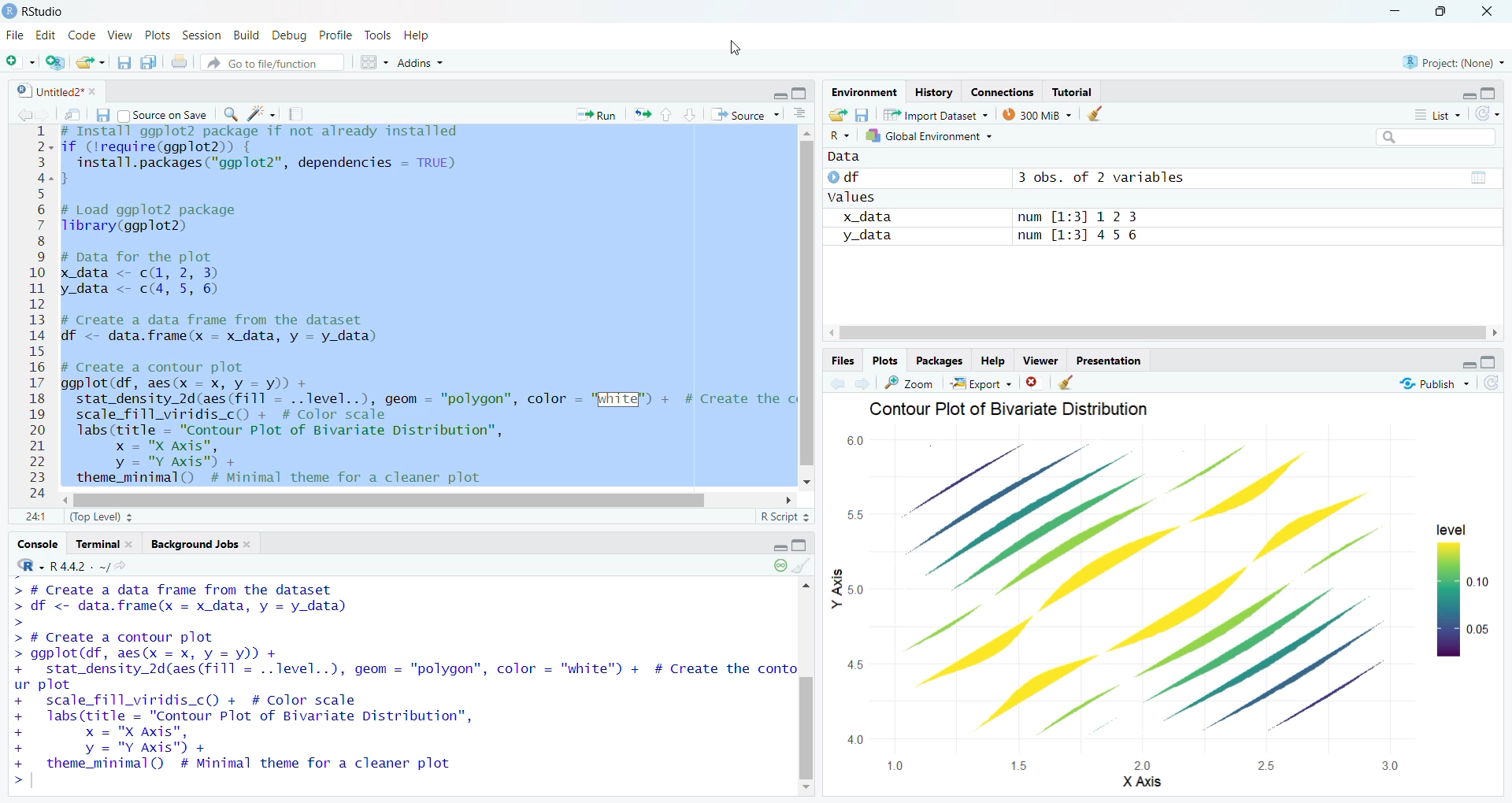  What do you see at coordinates (1110, 361) in the screenshot?
I see `Presentation` at bounding box center [1110, 361].